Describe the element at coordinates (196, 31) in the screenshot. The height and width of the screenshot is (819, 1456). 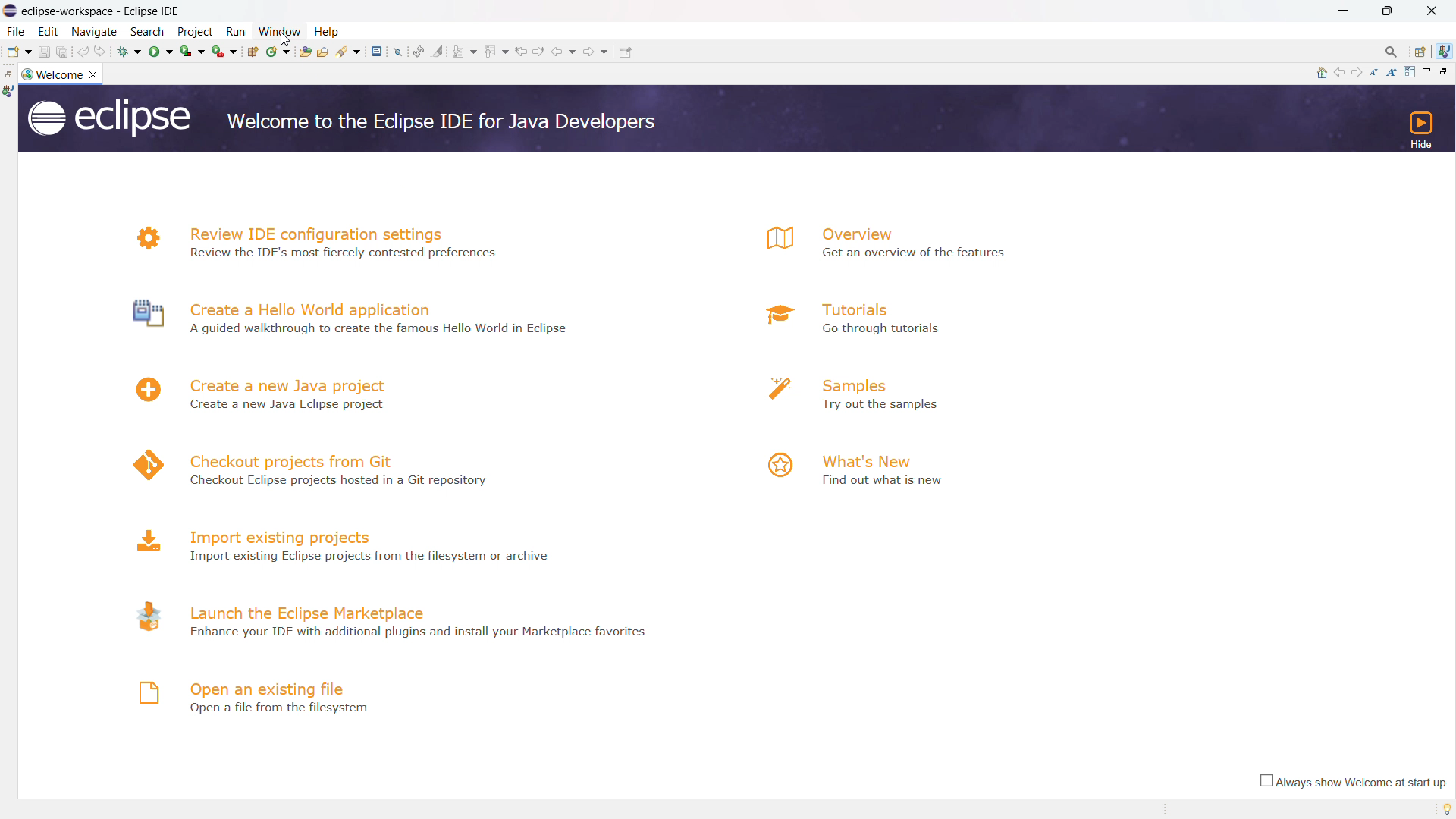
I see `project` at that location.